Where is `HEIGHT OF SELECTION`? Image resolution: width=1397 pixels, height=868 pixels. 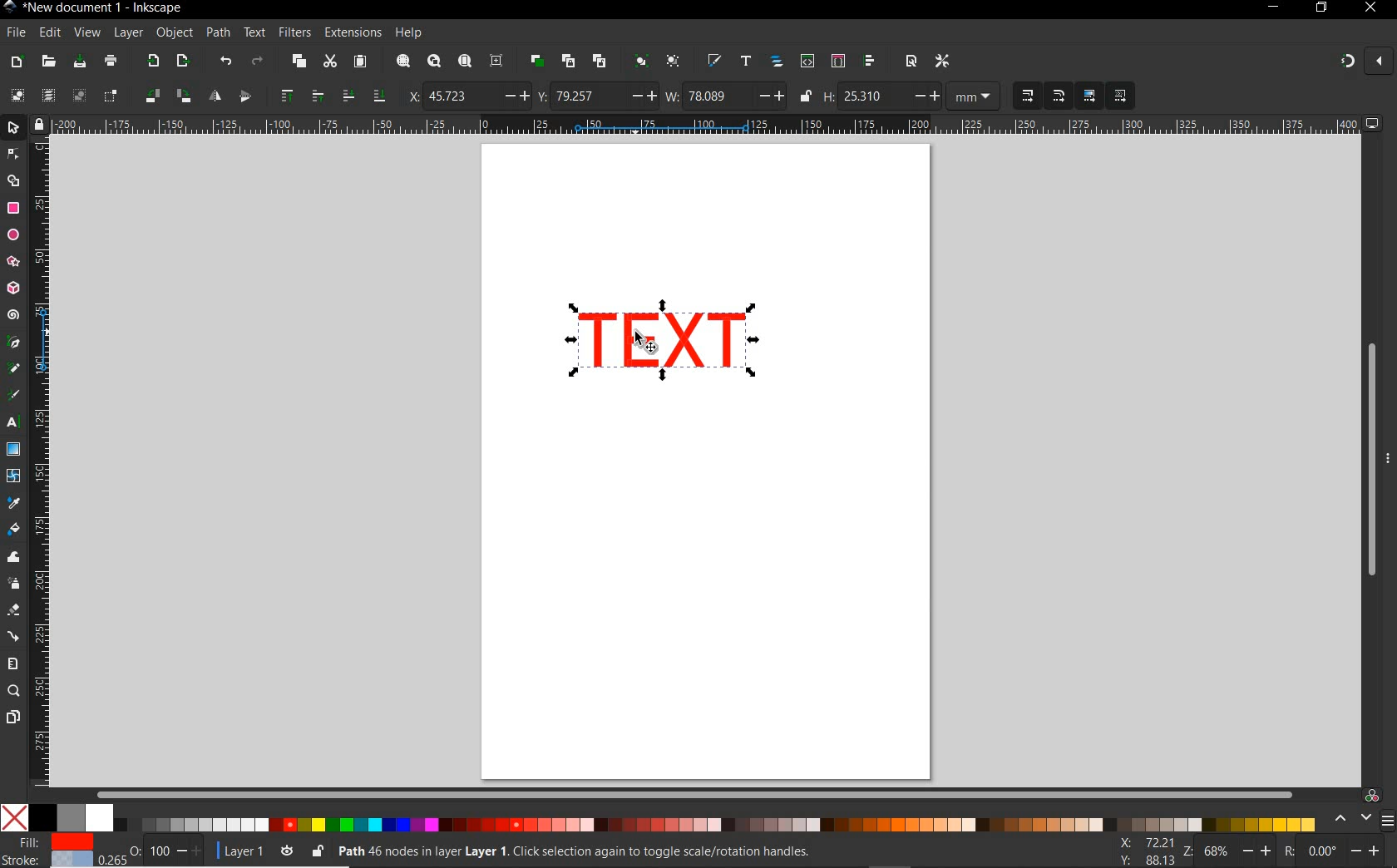
HEIGHT OF SELECTION is located at coordinates (881, 97).